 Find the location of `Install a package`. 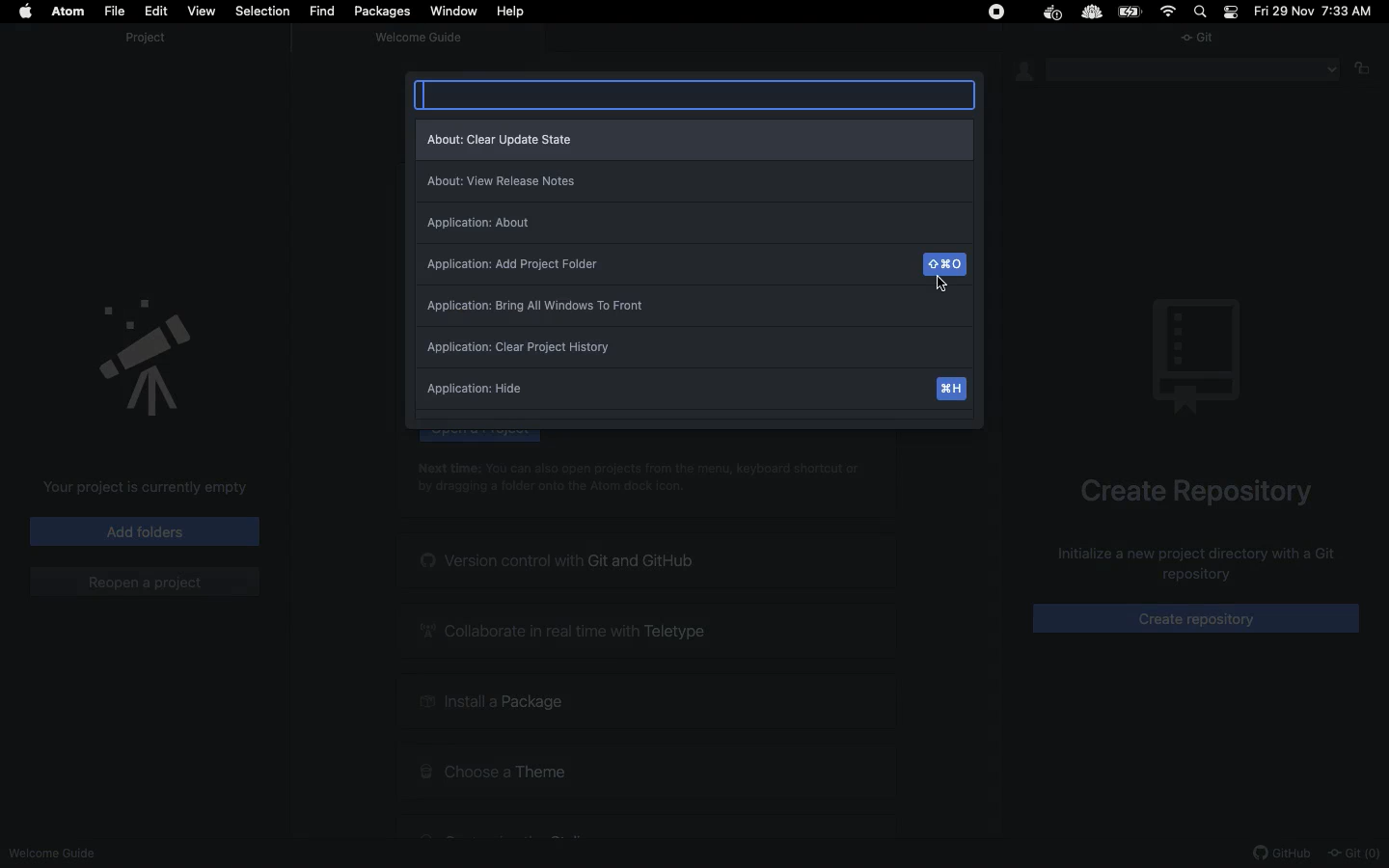

Install a package is located at coordinates (648, 702).